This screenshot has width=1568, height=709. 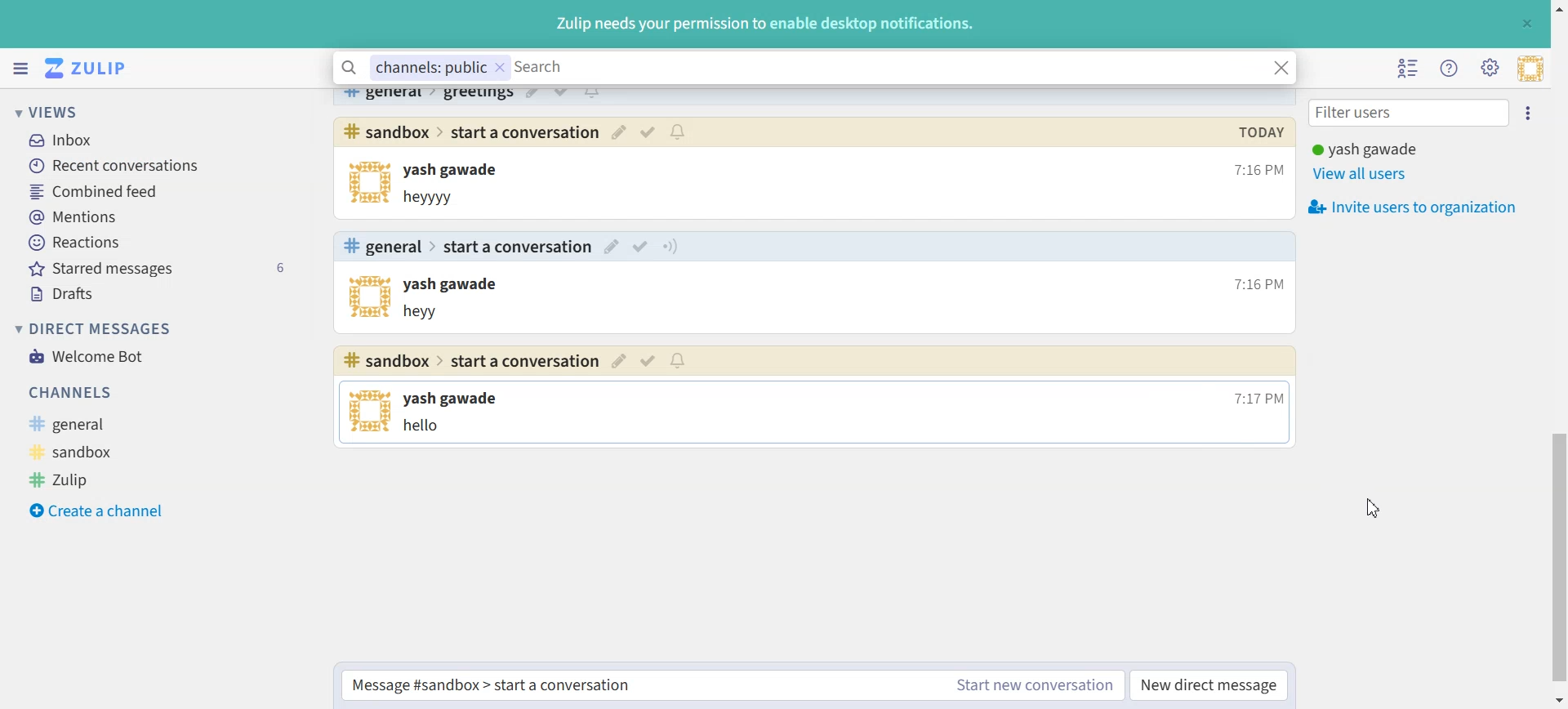 I want to click on heyy, so click(x=428, y=312).